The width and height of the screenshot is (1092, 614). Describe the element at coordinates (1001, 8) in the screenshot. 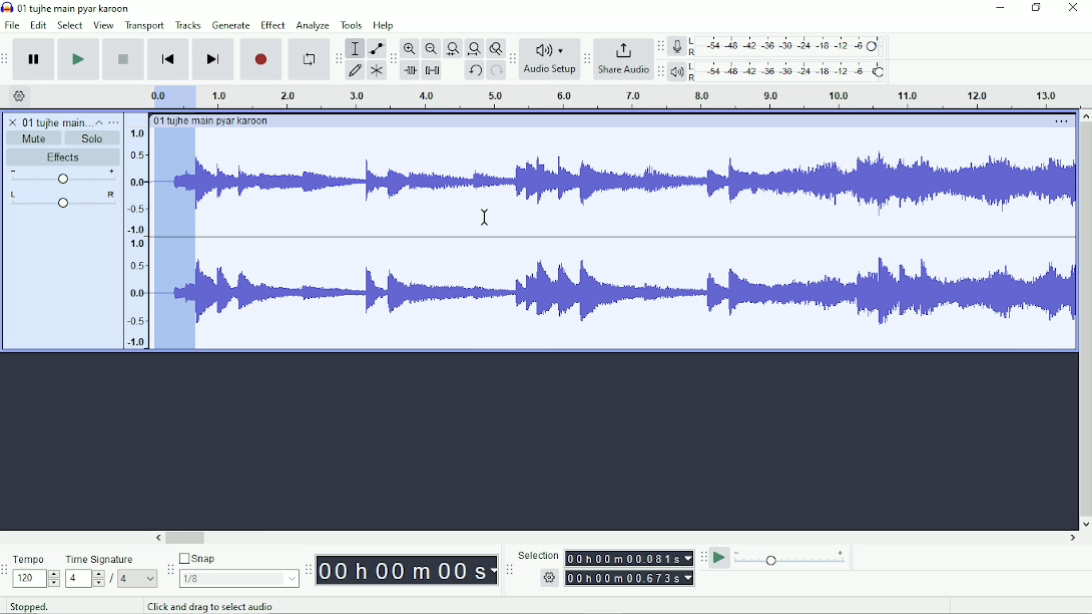

I see `Minimize` at that location.